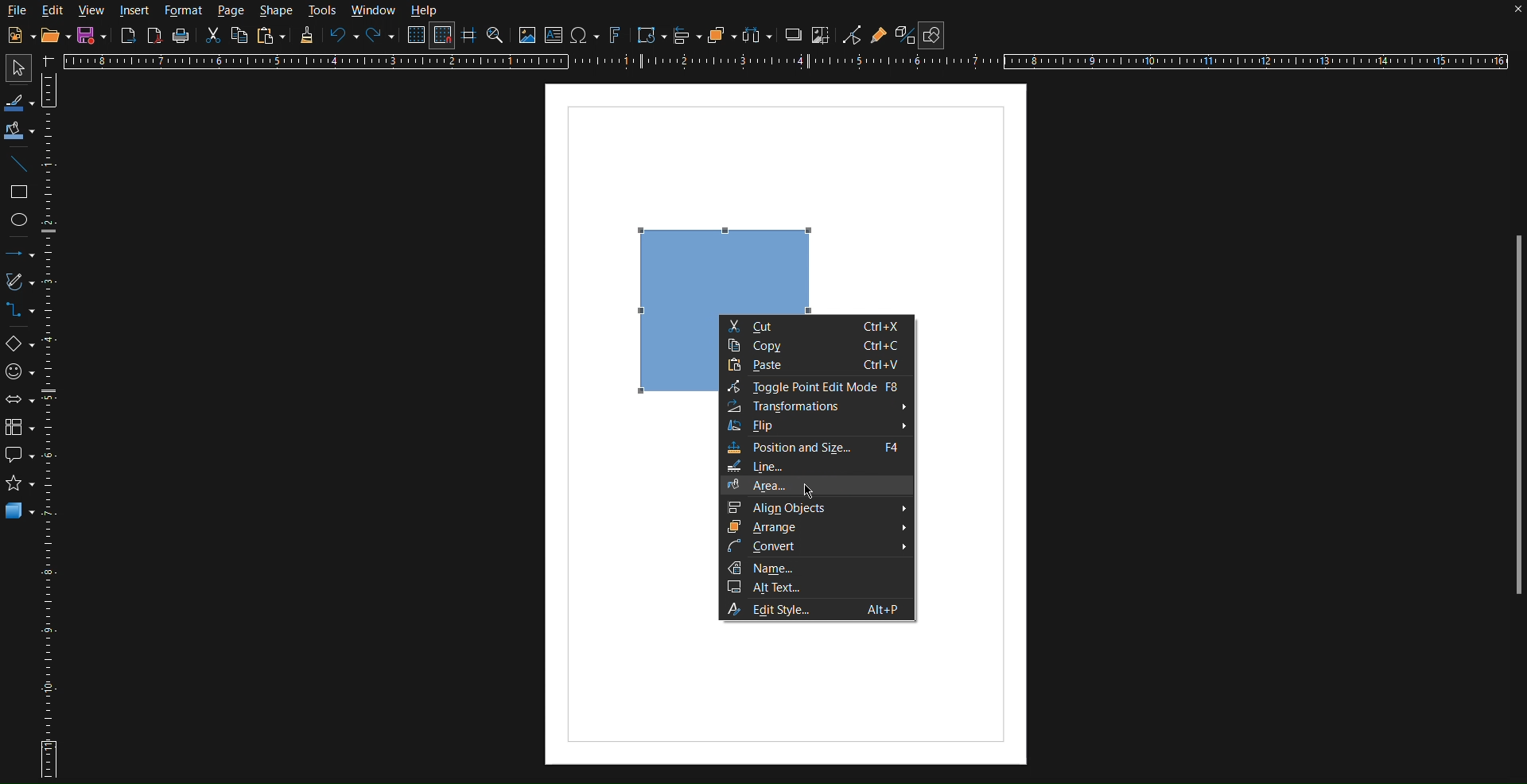 Image resolution: width=1527 pixels, height=784 pixels. Describe the element at coordinates (18, 285) in the screenshot. I see `Vectors` at that location.